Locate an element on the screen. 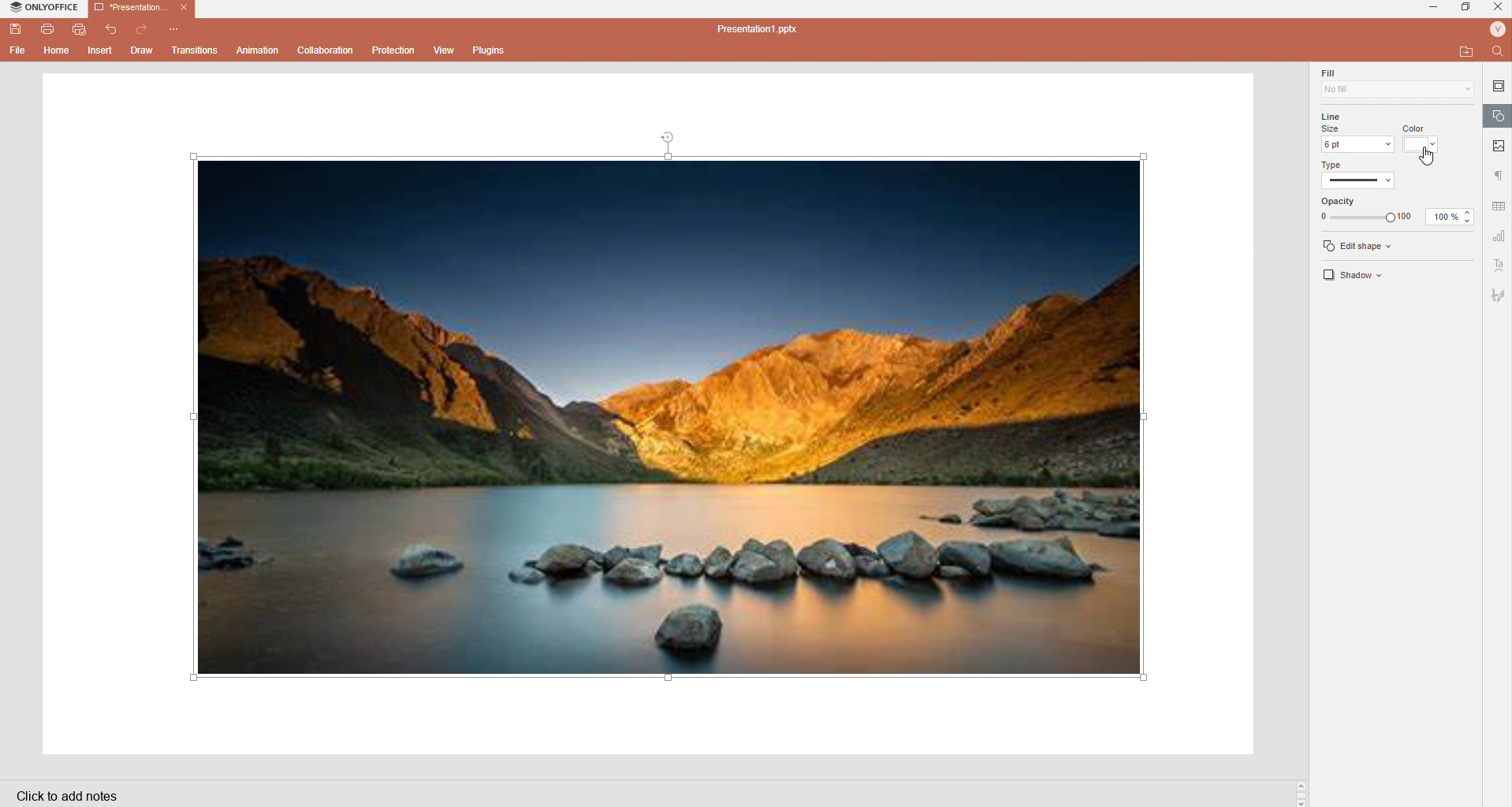 This screenshot has width=1512, height=807. Fill is located at coordinates (1395, 83).